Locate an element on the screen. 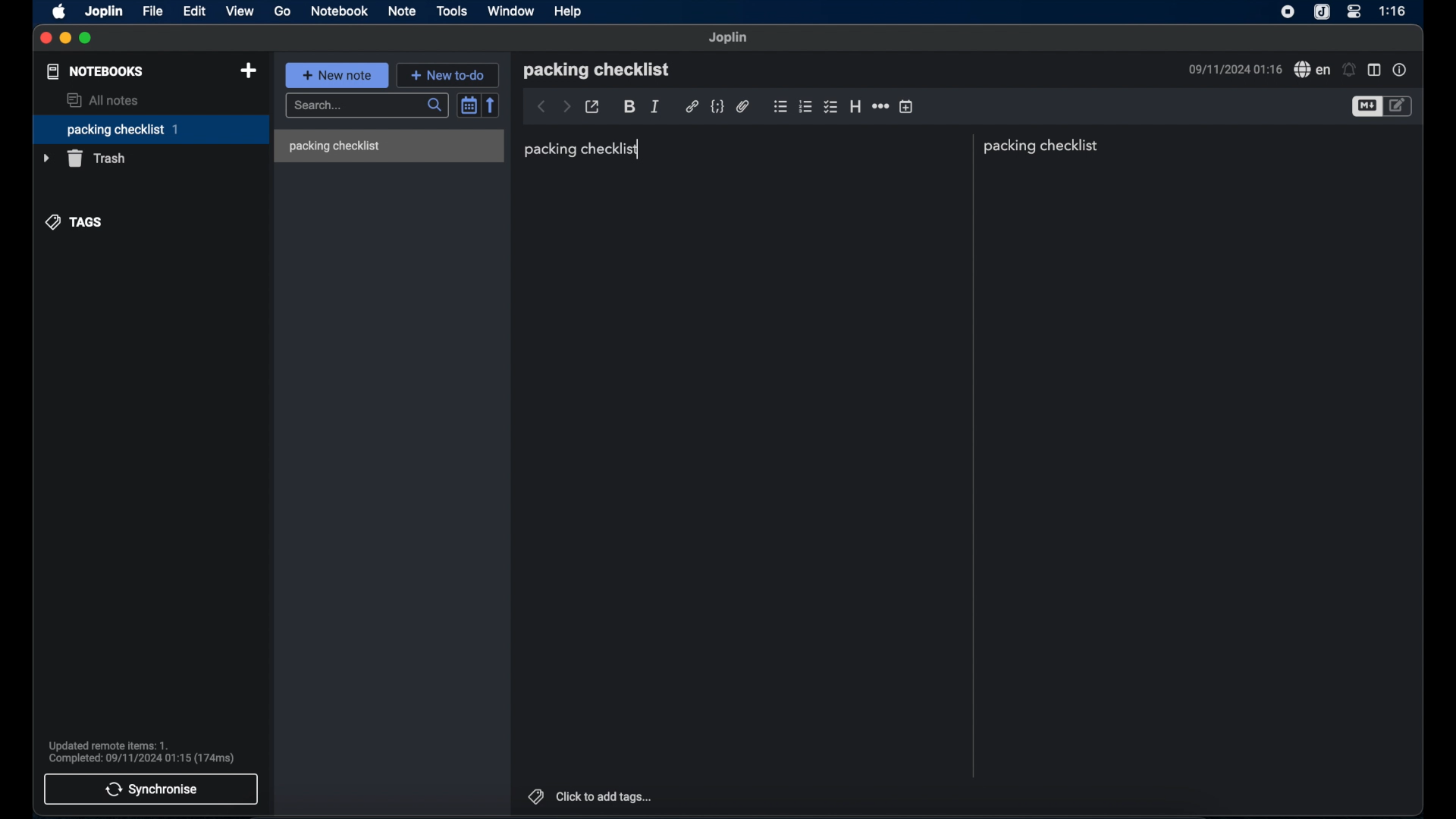  tags is located at coordinates (74, 223).